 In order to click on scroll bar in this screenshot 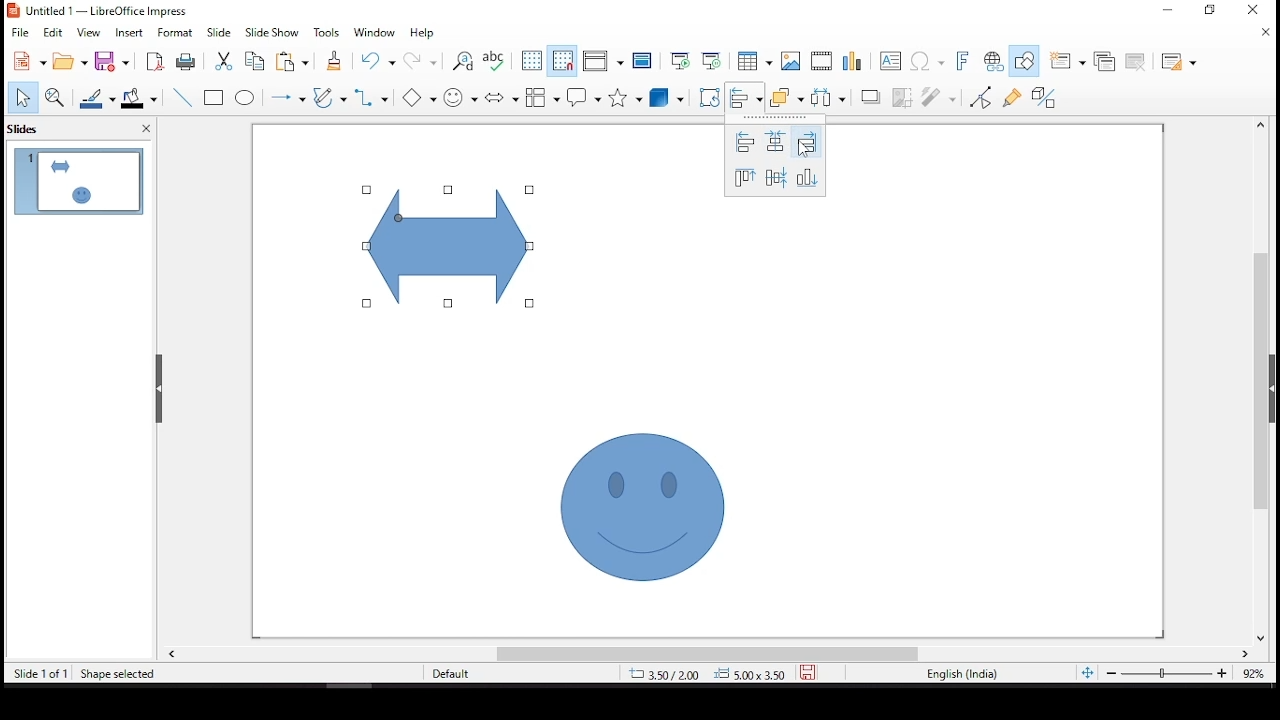, I will do `click(709, 654)`.